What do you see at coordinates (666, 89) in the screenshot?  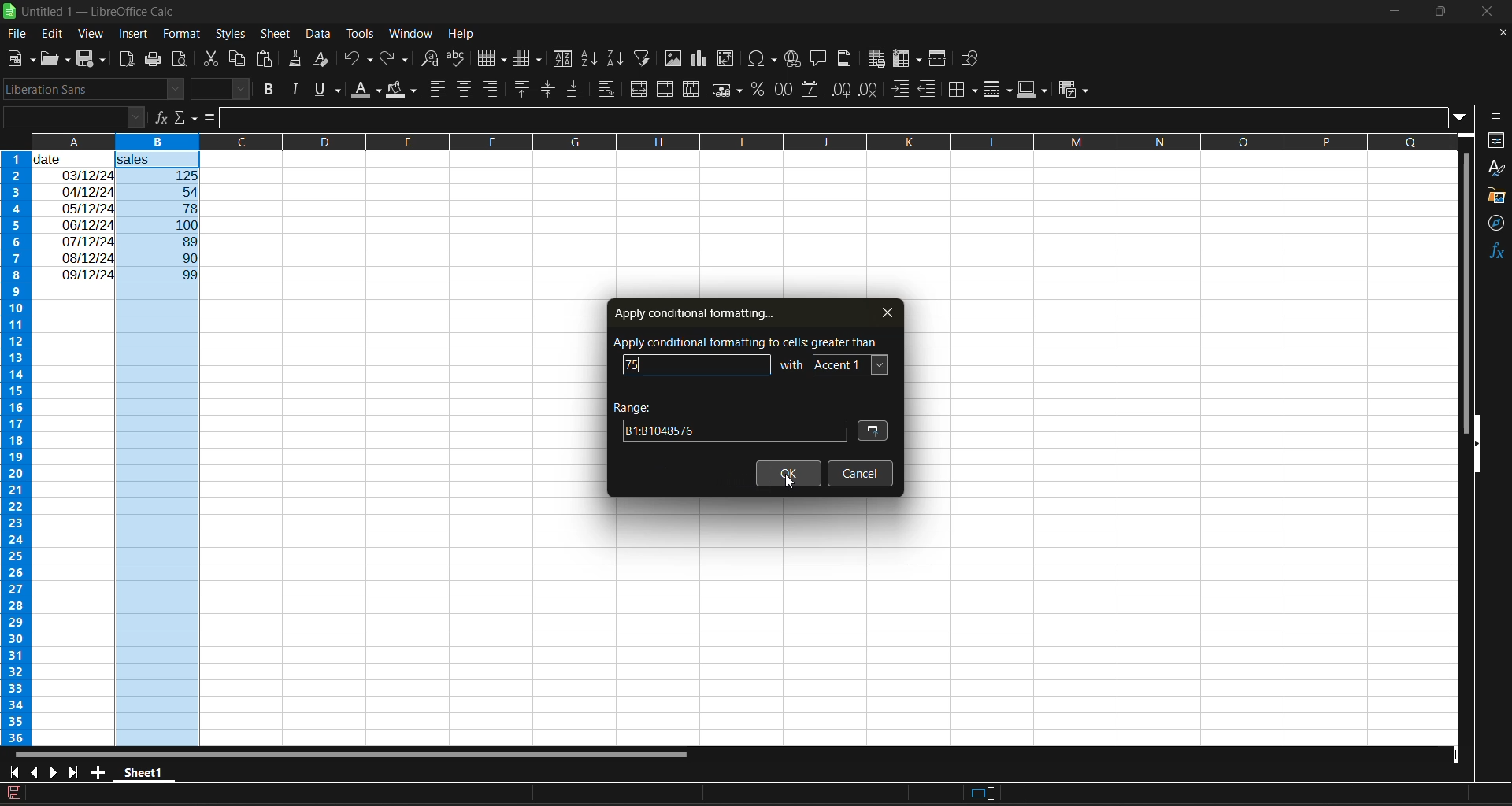 I see `merge cells` at bounding box center [666, 89].